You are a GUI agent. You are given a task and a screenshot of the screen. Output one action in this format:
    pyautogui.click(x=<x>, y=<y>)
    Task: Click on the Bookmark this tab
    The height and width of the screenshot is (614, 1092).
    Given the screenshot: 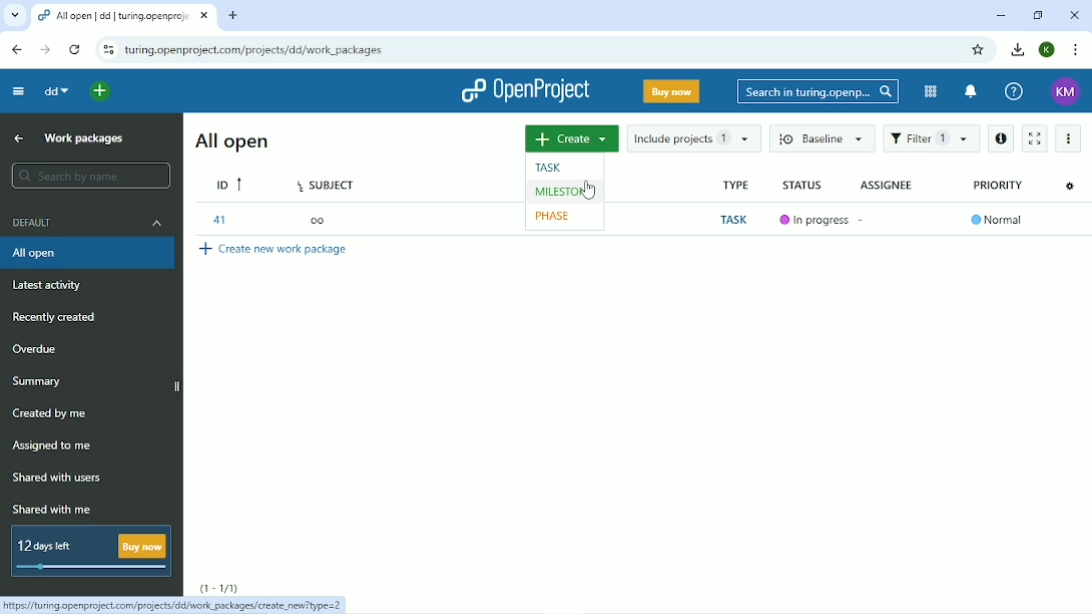 What is the action you would take?
    pyautogui.click(x=977, y=50)
    